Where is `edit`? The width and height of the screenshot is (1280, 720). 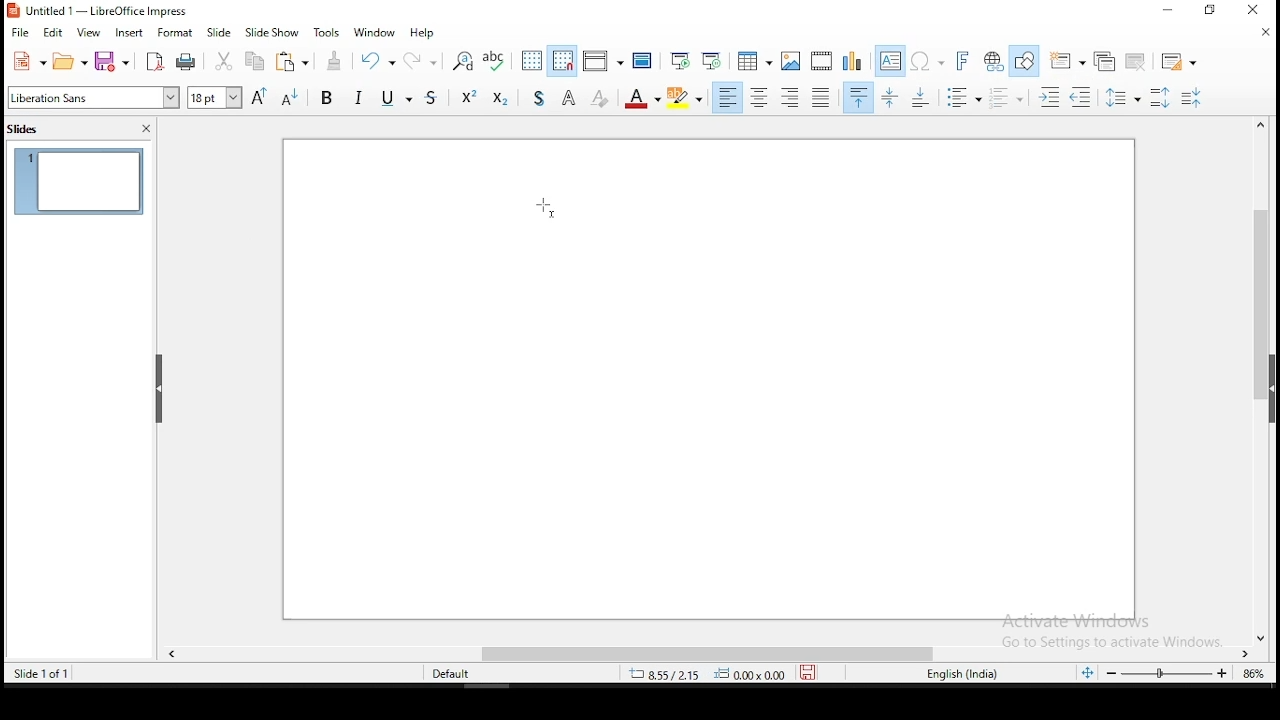
edit is located at coordinates (54, 33).